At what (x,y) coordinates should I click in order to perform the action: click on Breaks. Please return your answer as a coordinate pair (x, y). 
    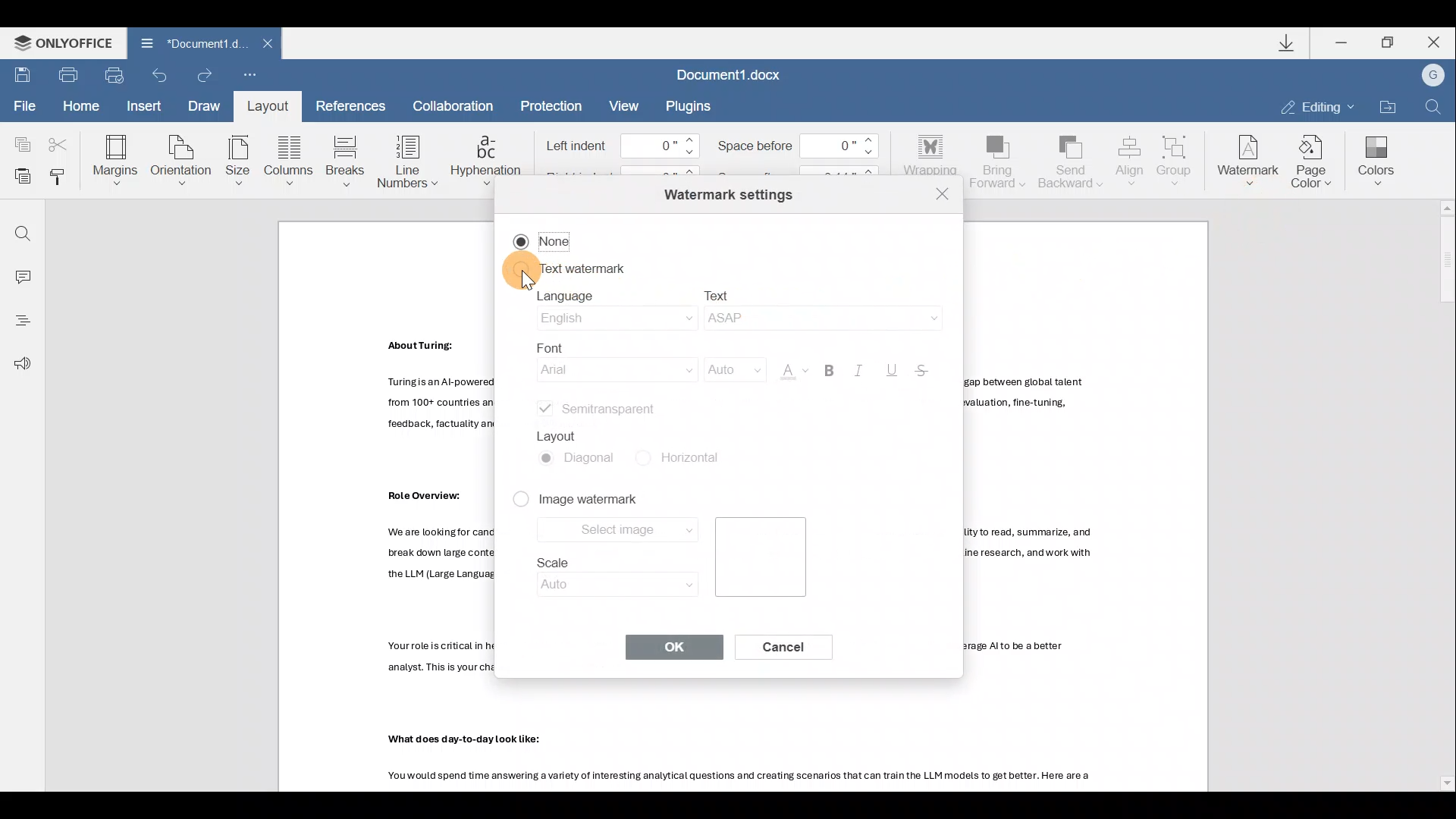
    Looking at the image, I should click on (346, 157).